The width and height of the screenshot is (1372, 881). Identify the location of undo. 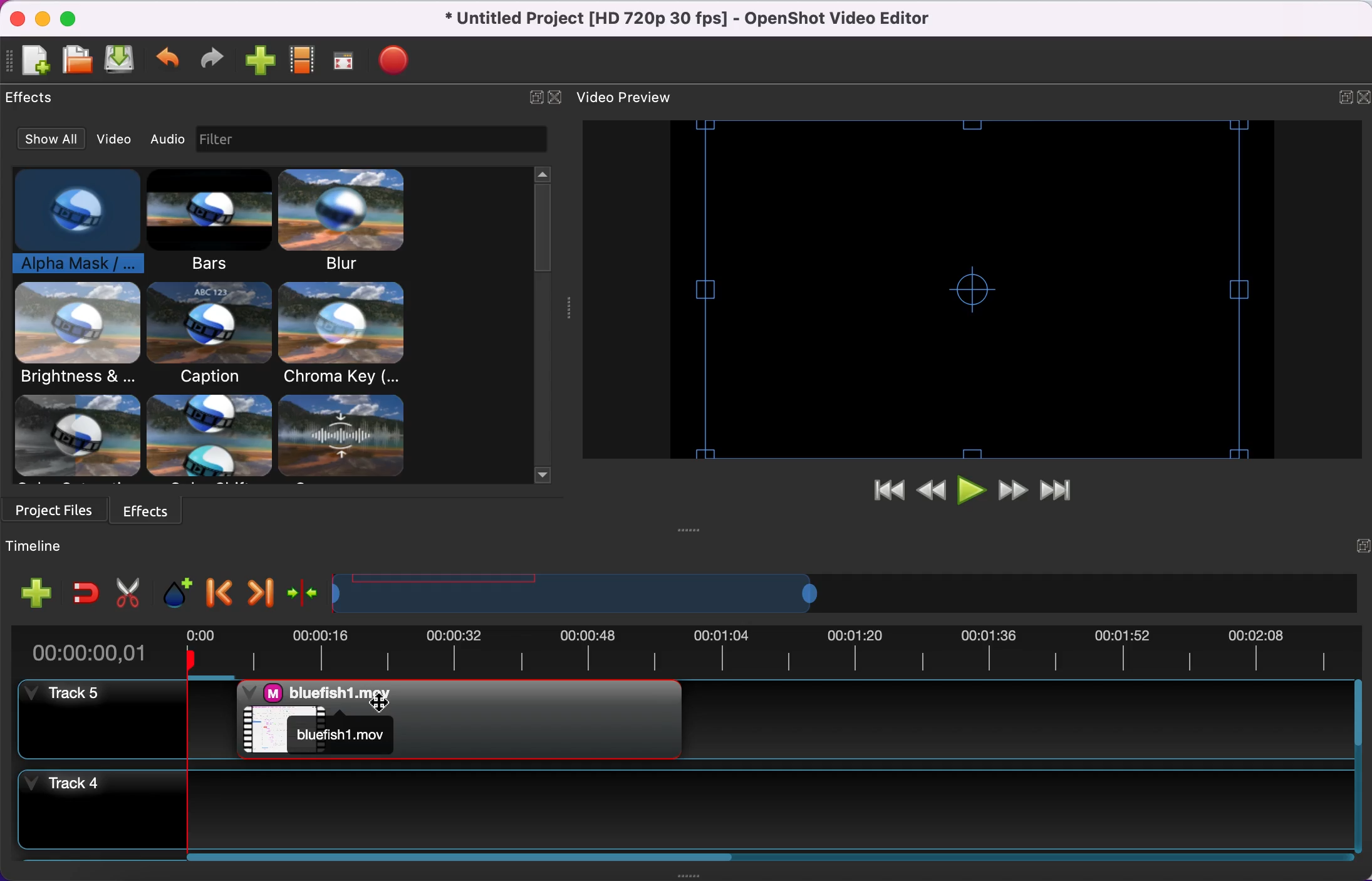
(169, 63).